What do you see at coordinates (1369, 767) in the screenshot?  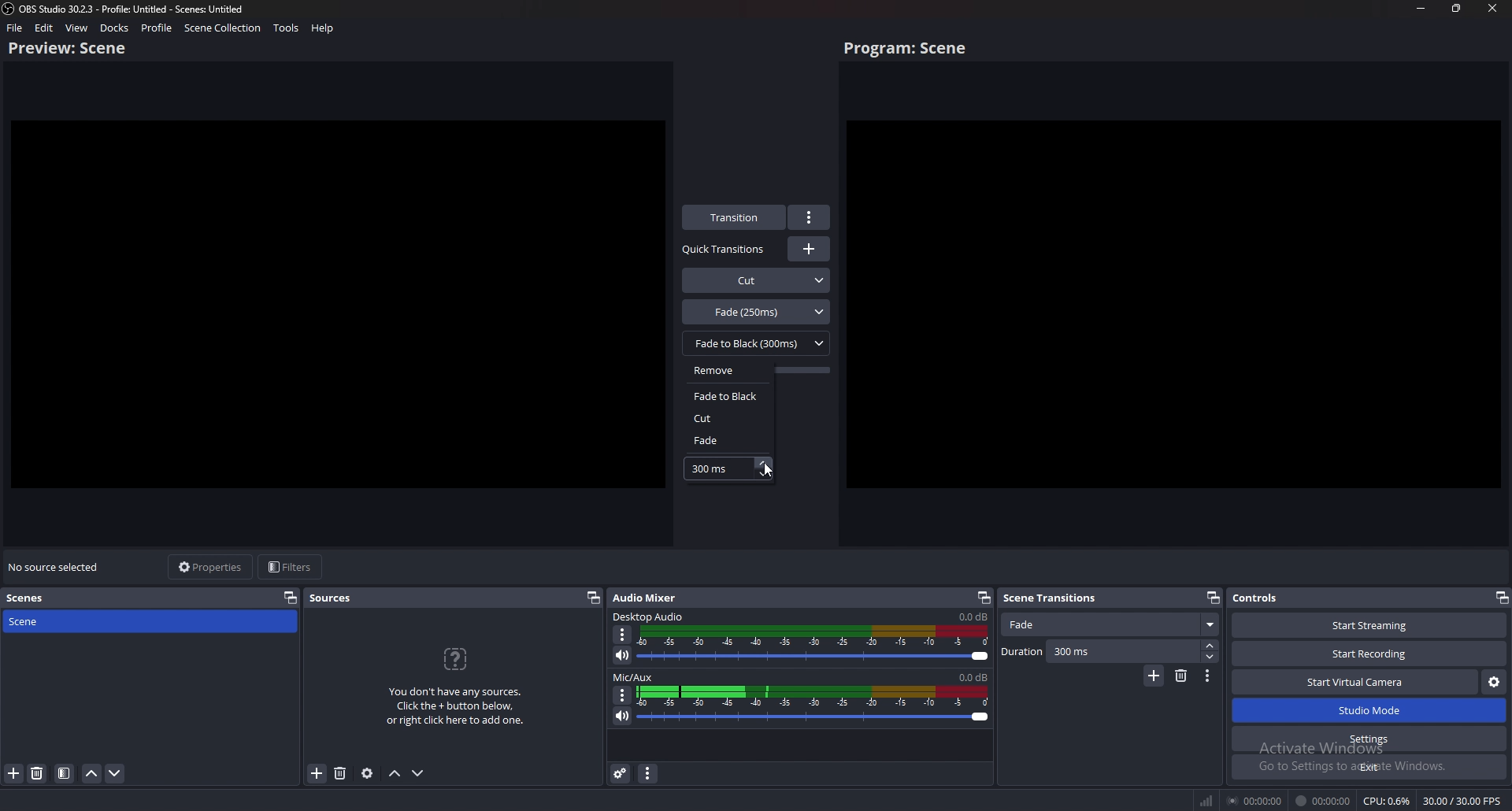 I see `Exit` at bounding box center [1369, 767].